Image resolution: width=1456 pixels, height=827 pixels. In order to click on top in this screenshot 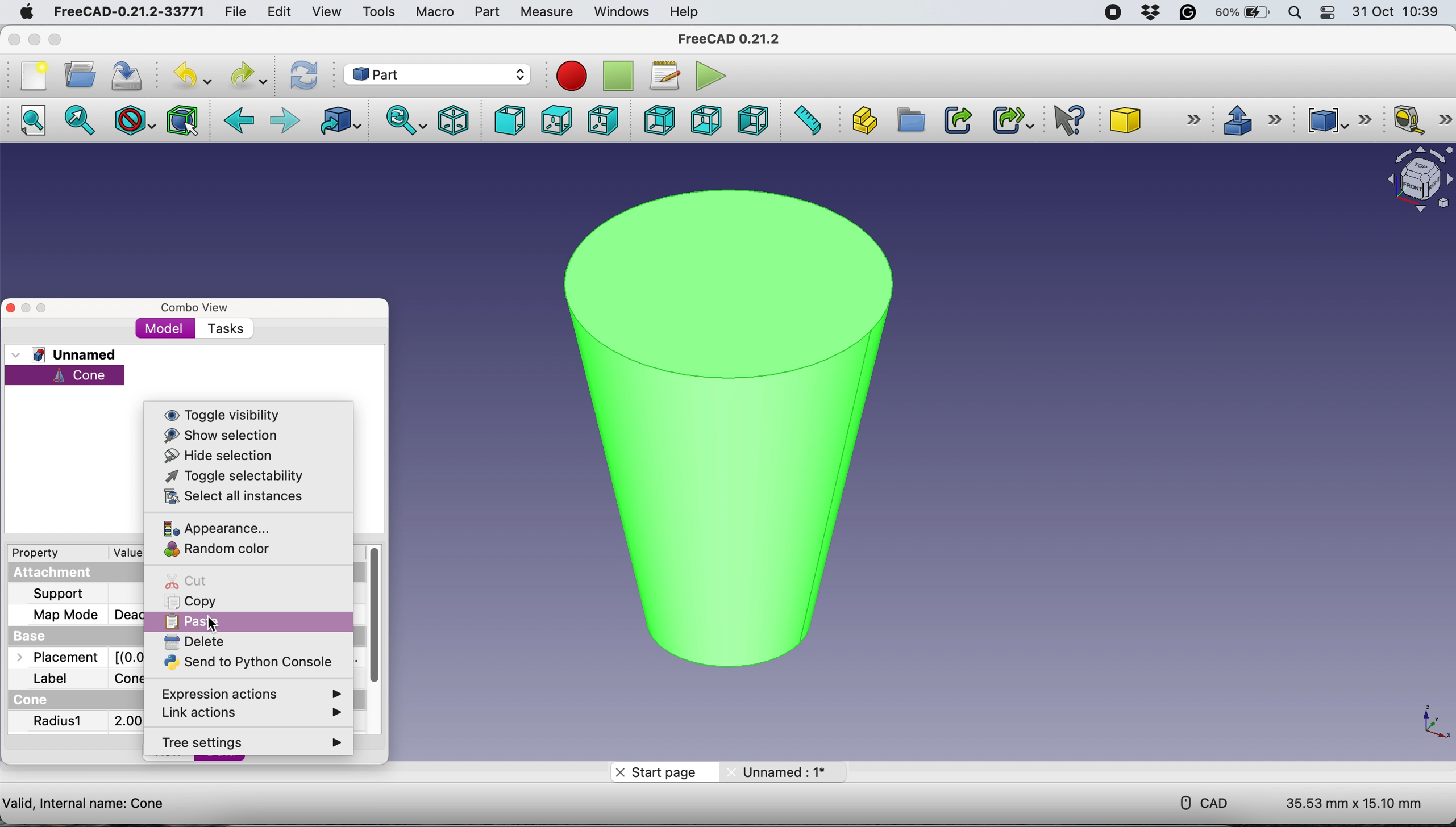, I will do `click(555, 120)`.